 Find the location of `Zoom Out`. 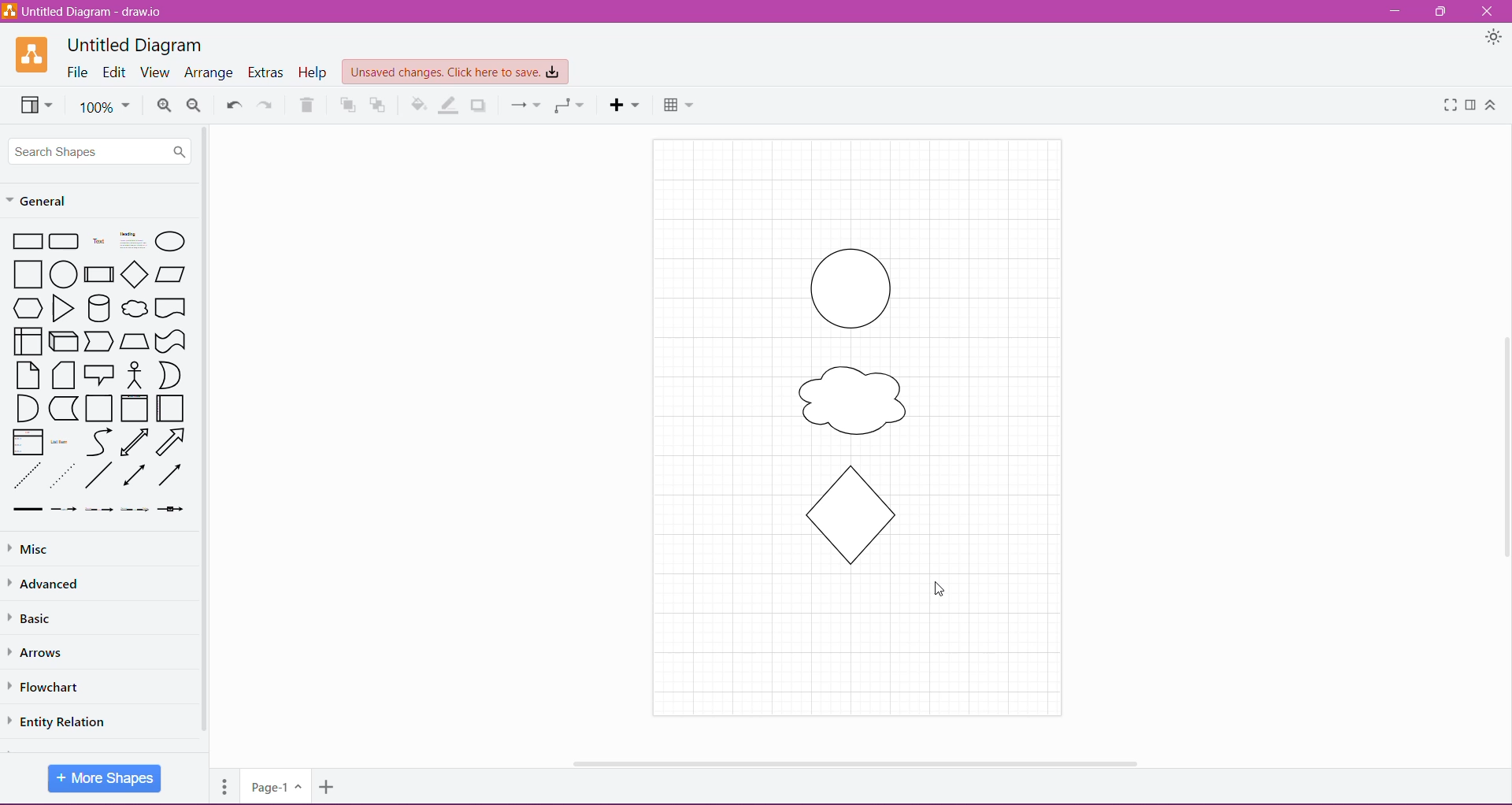

Zoom Out is located at coordinates (195, 106).